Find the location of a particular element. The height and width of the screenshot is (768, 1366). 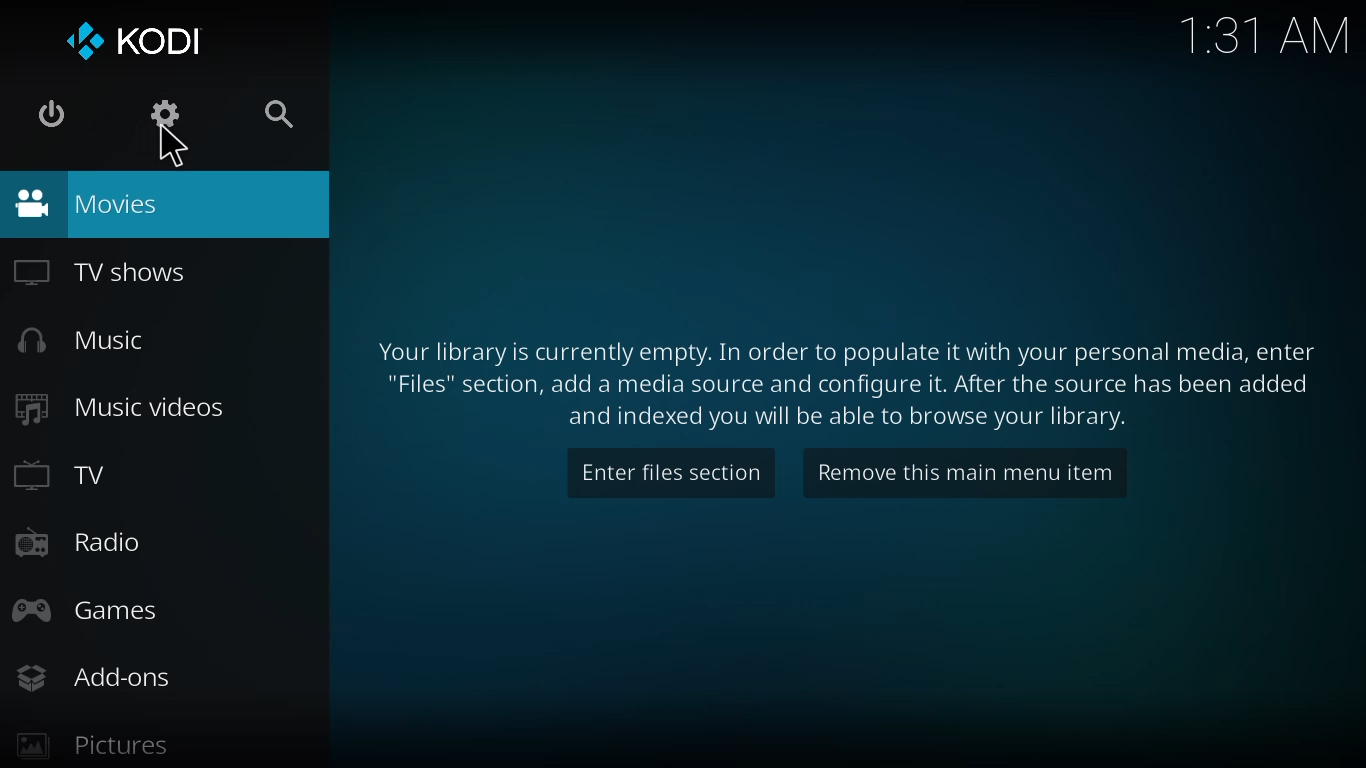

kodi is located at coordinates (131, 37).